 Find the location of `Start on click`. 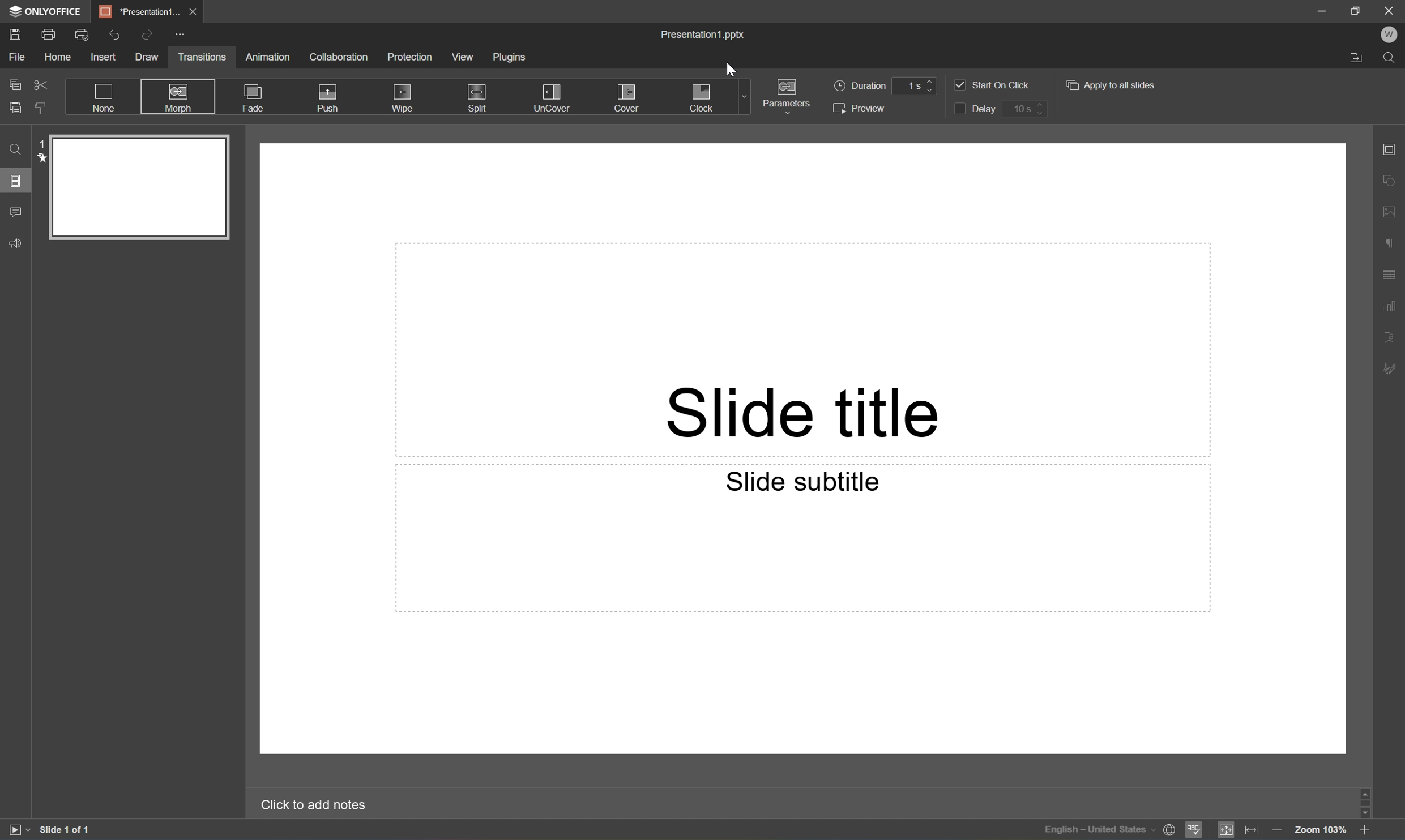

Start on click is located at coordinates (1000, 85).